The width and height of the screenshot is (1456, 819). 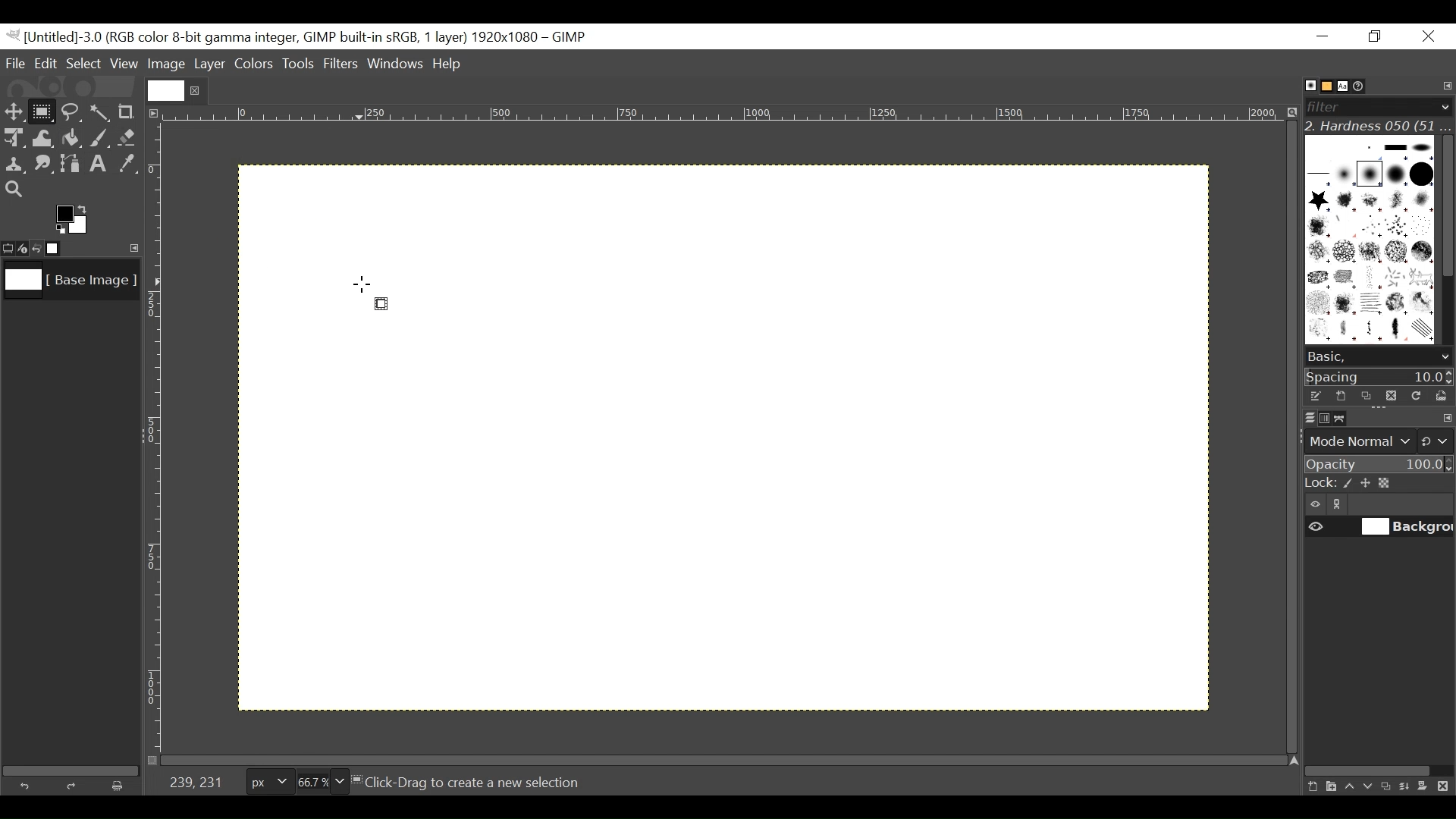 What do you see at coordinates (254, 64) in the screenshot?
I see `Colors` at bounding box center [254, 64].